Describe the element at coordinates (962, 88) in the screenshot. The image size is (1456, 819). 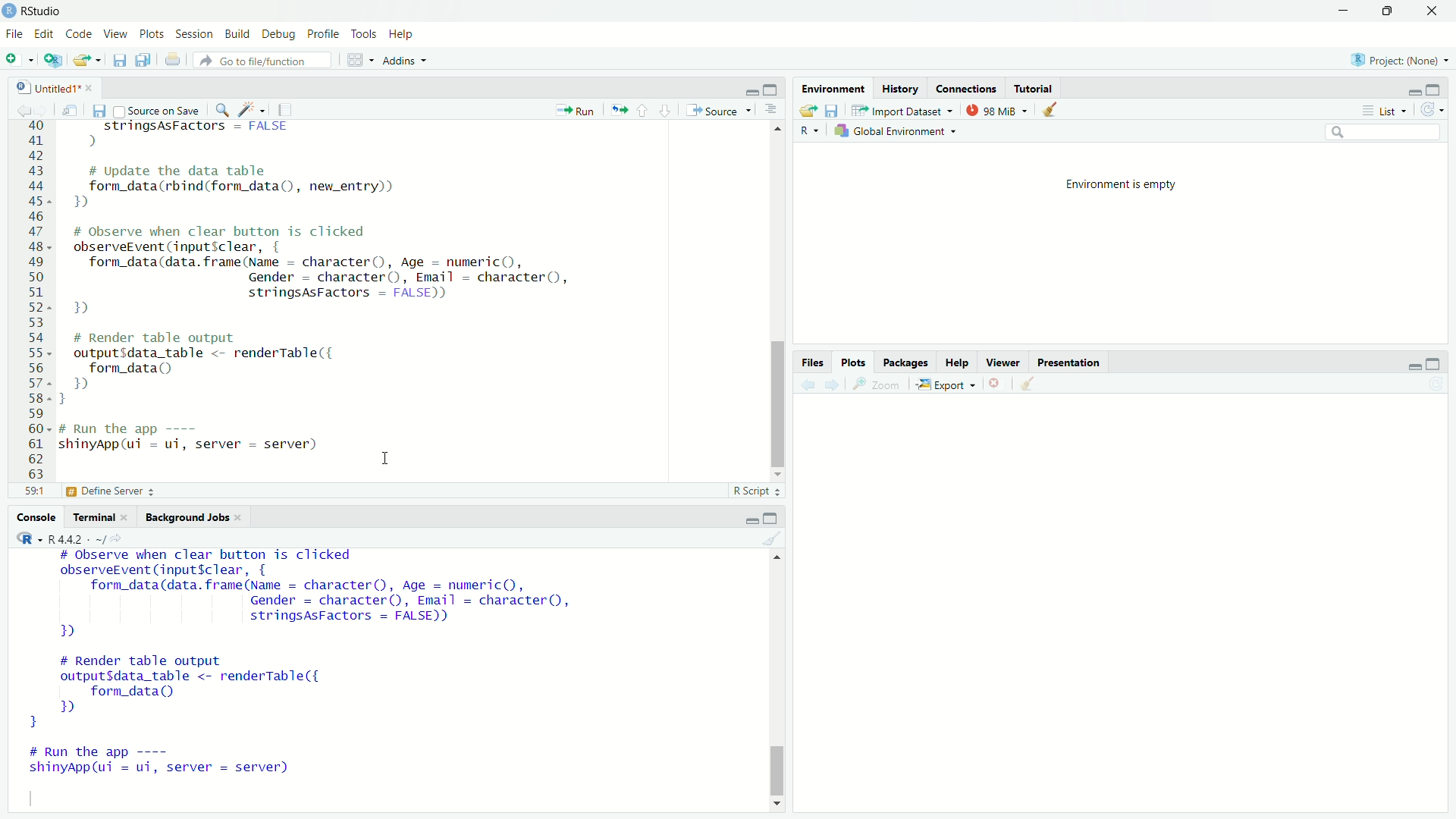
I see `connections` at that location.